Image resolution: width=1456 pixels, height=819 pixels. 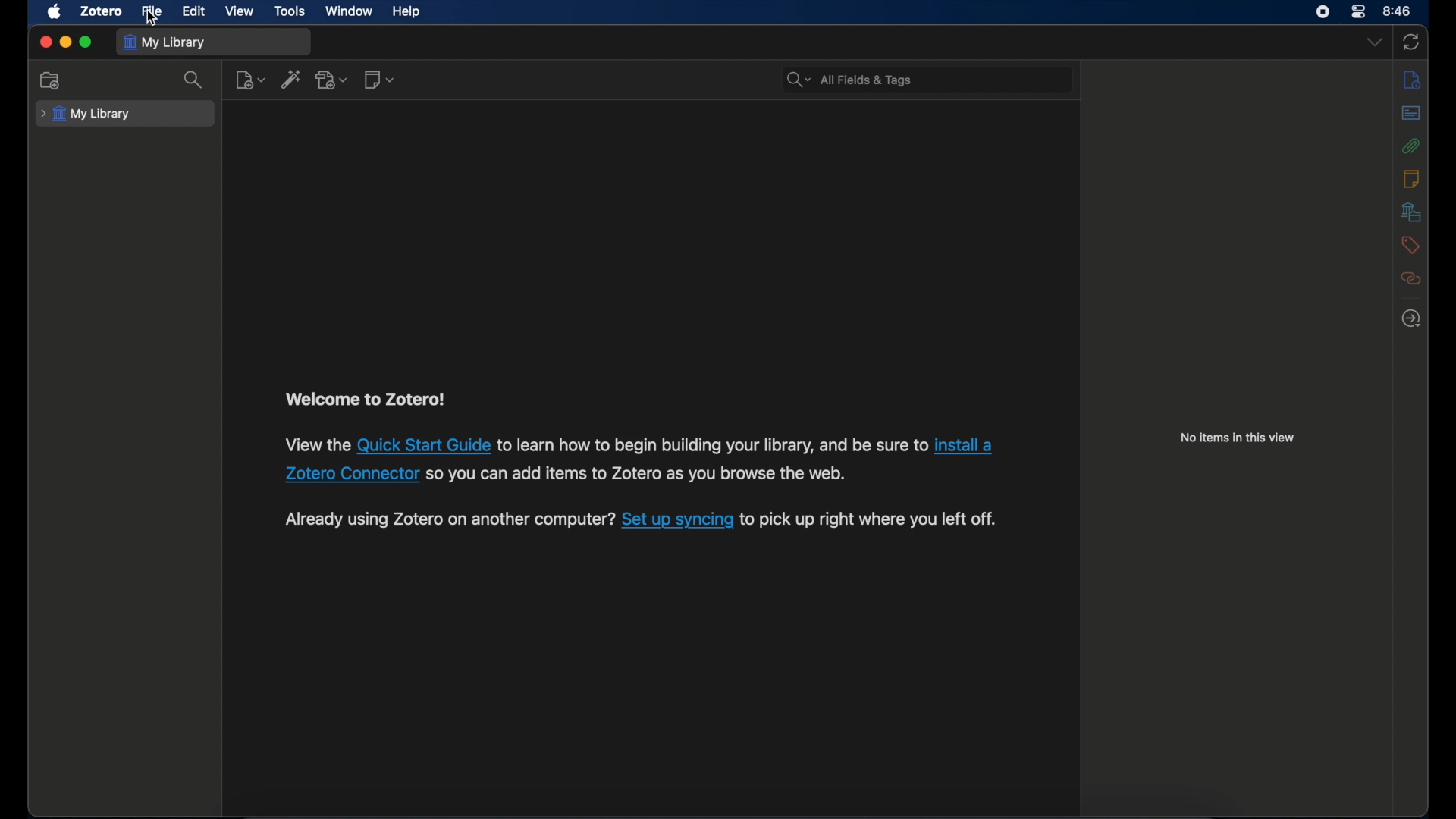 What do you see at coordinates (1238, 438) in the screenshot?
I see `no items in this view` at bounding box center [1238, 438].